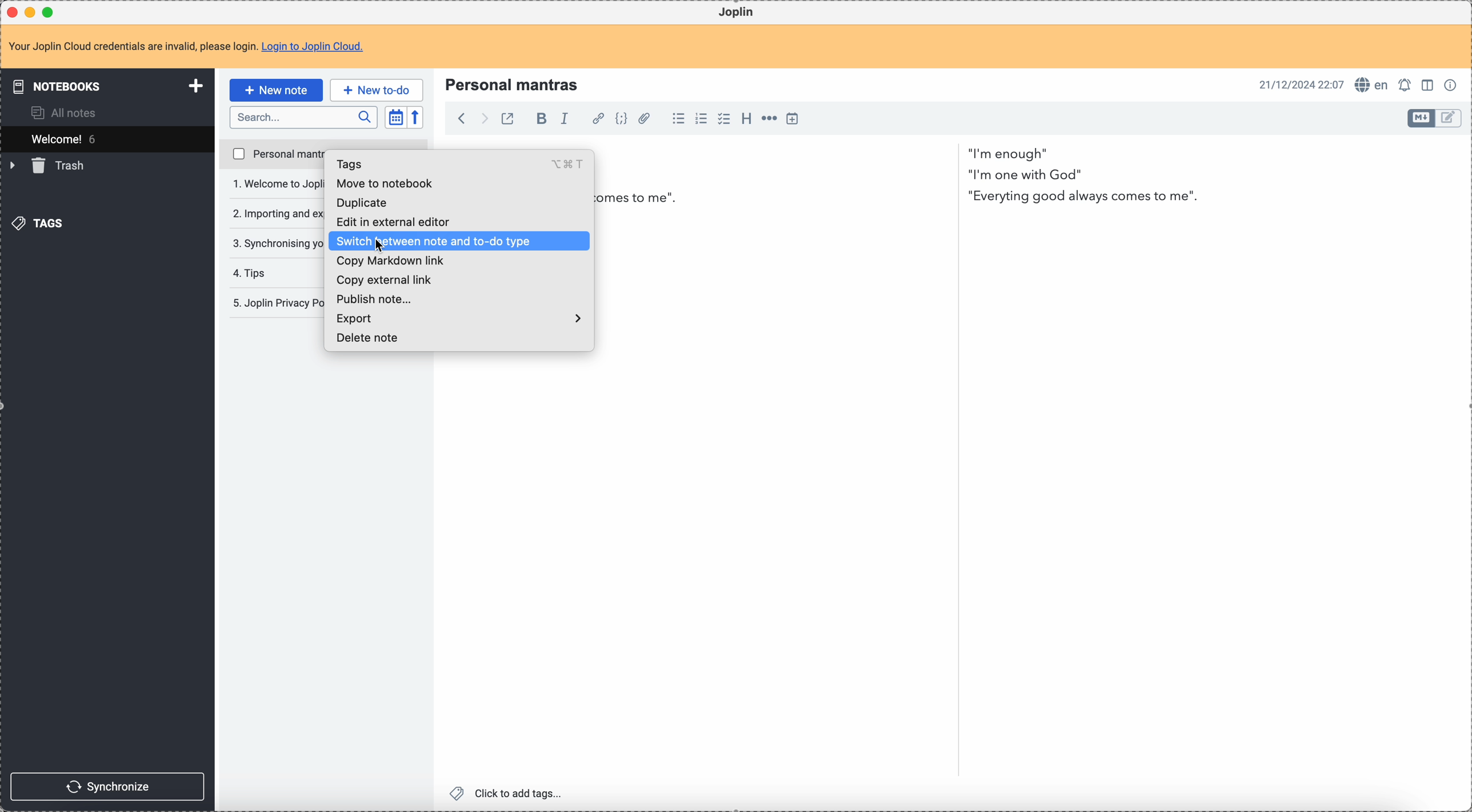 Image resolution: width=1472 pixels, height=812 pixels. Describe the element at coordinates (396, 182) in the screenshot. I see `move to notebook` at that location.